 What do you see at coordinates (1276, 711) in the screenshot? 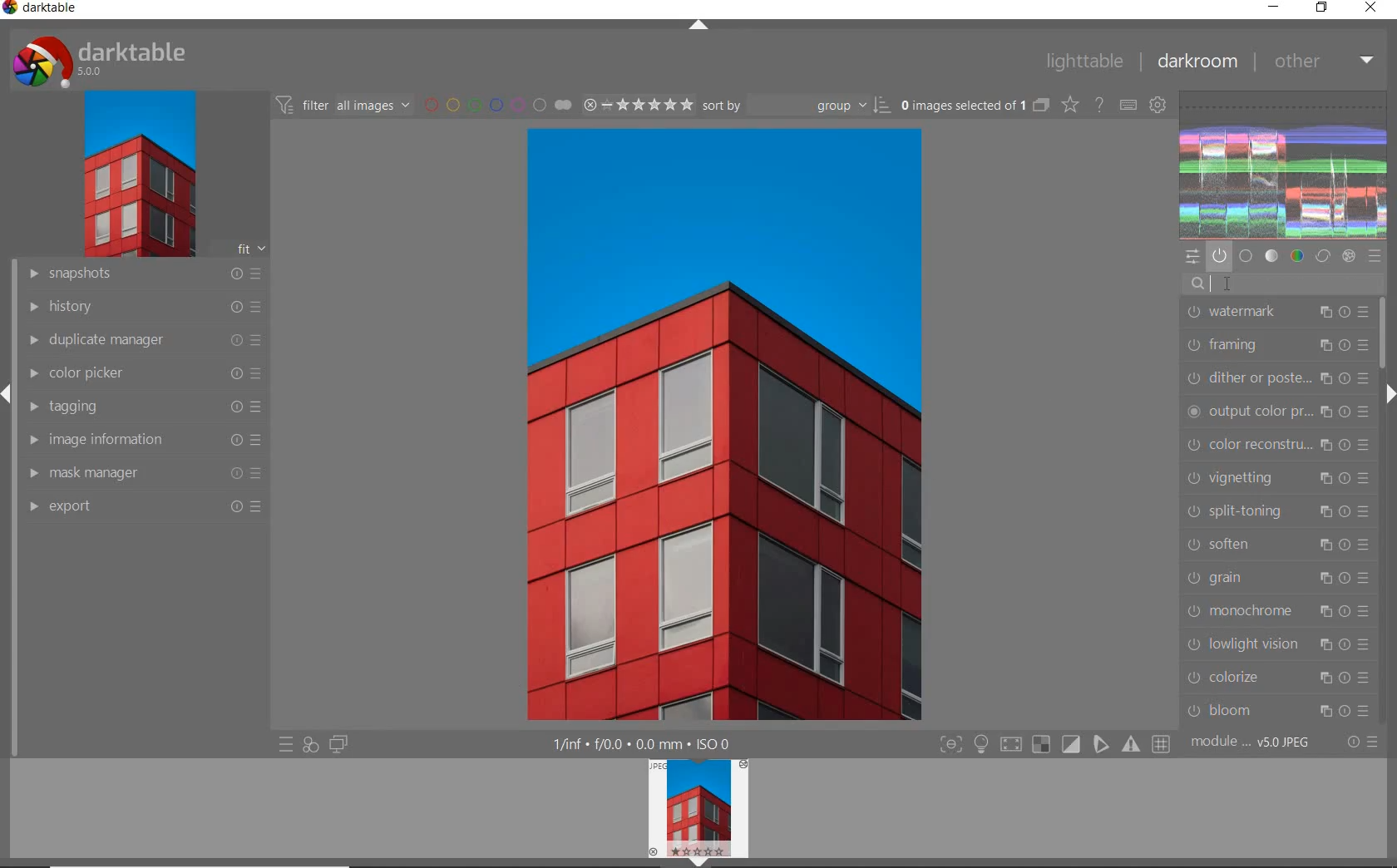
I see `bloom` at bounding box center [1276, 711].